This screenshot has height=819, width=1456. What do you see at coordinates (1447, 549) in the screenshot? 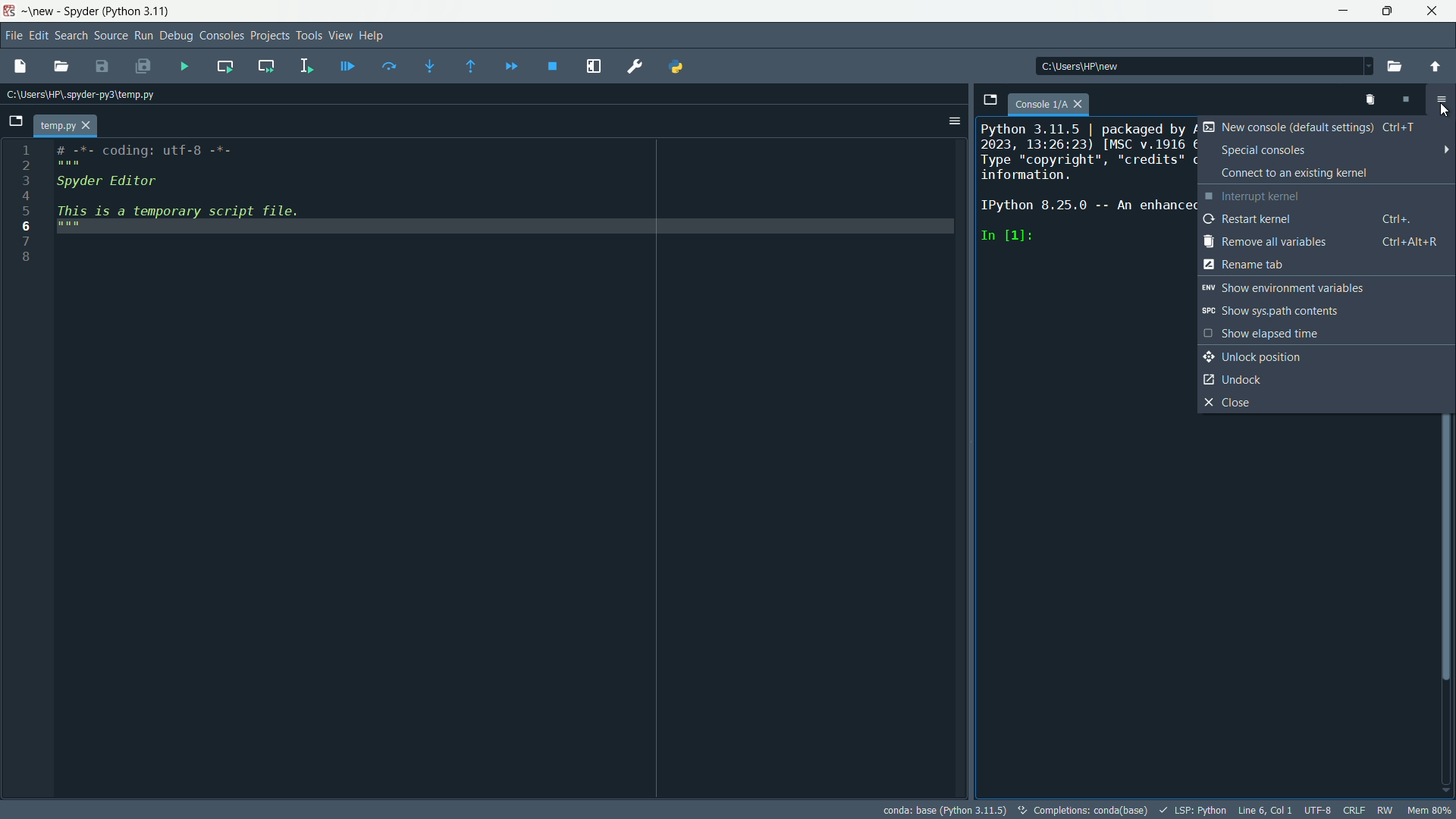
I see `Vertical Scroll bar` at bounding box center [1447, 549].